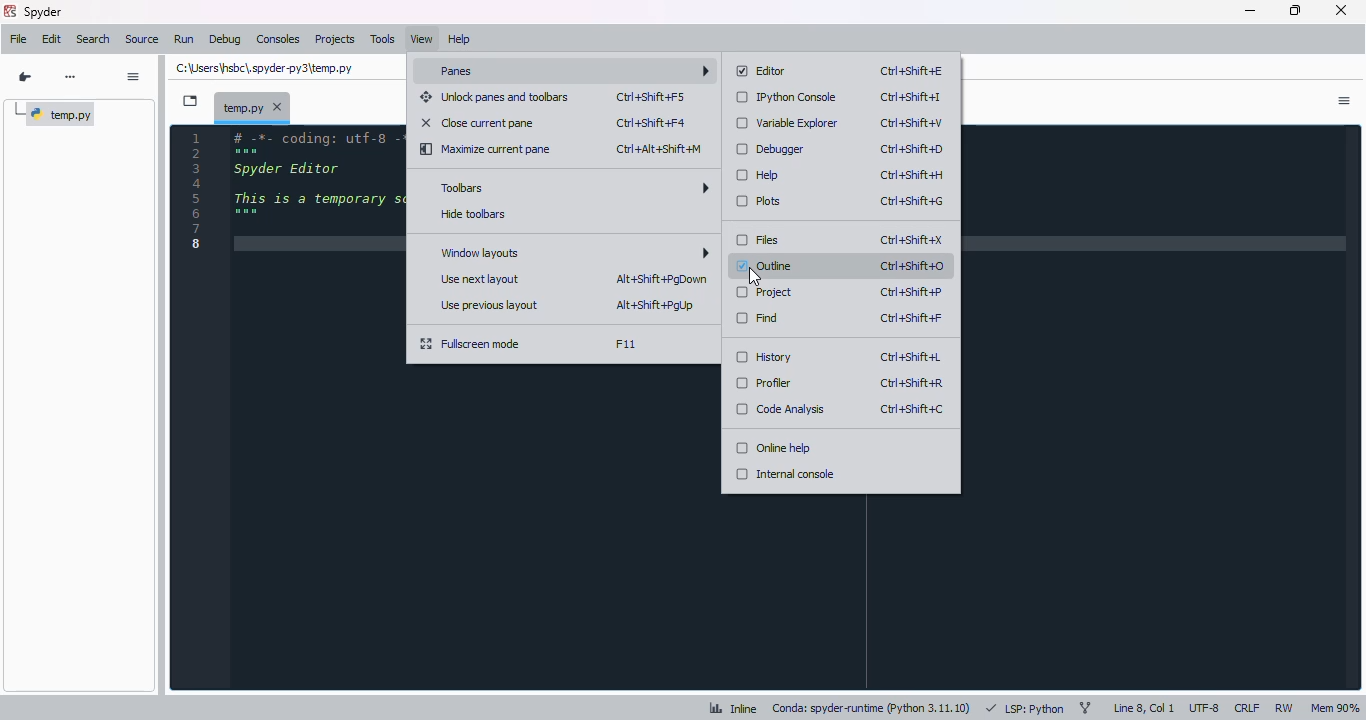 This screenshot has width=1366, height=720. I want to click on history, so click(763, 356).